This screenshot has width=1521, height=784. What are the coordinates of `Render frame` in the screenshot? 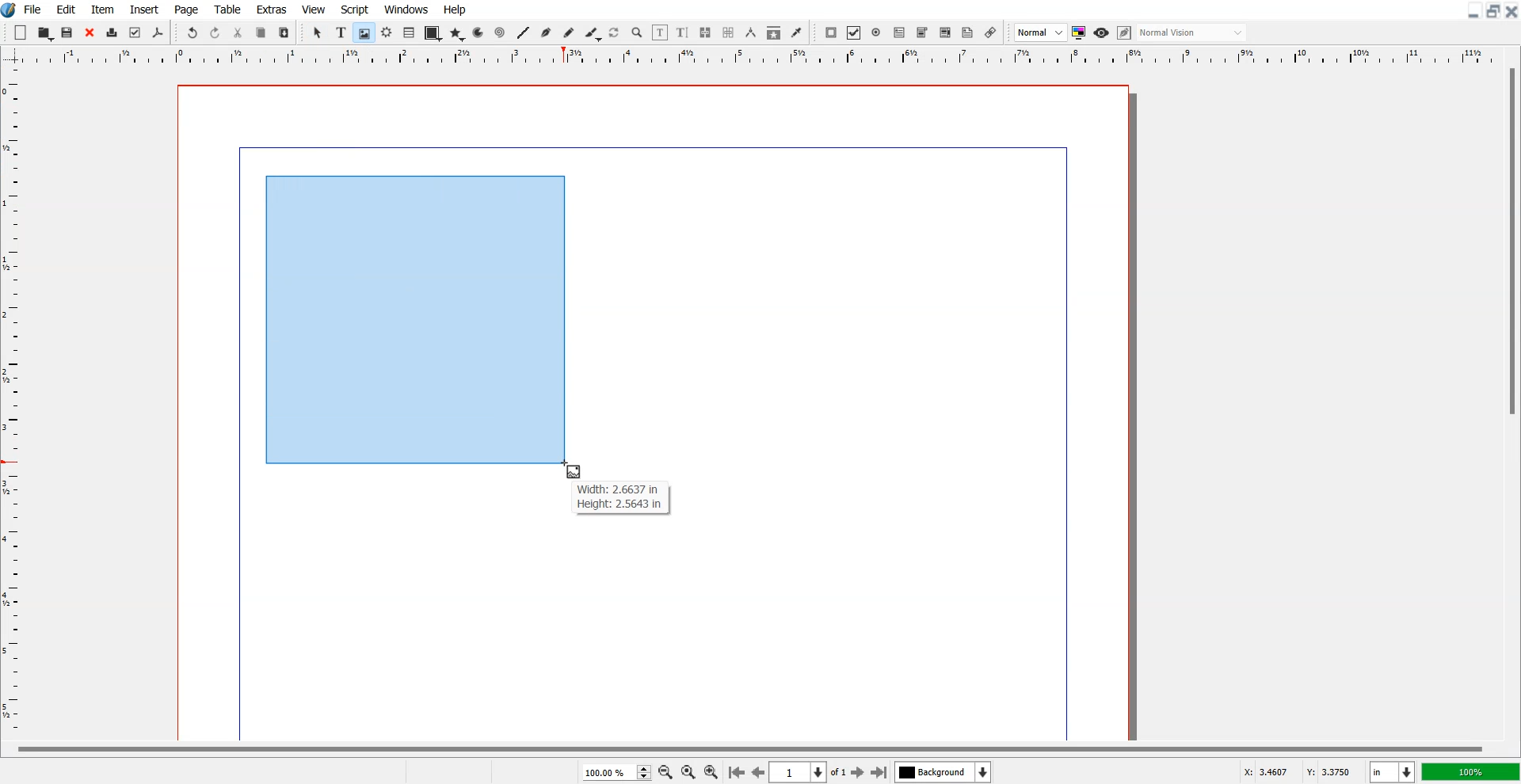 It's located at (387, 32).